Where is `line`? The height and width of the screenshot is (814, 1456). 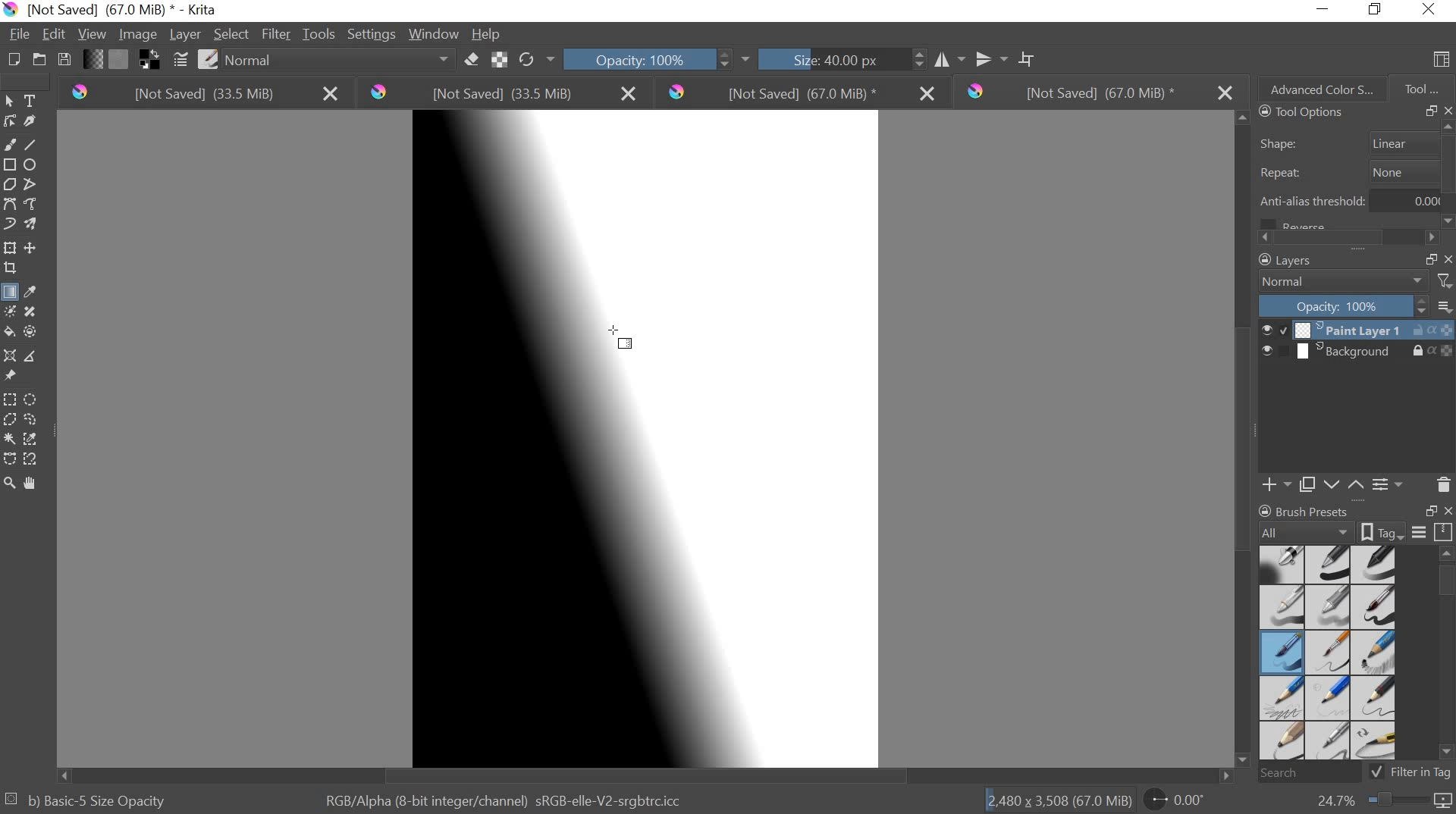
line is located at coordinates (35, 146).